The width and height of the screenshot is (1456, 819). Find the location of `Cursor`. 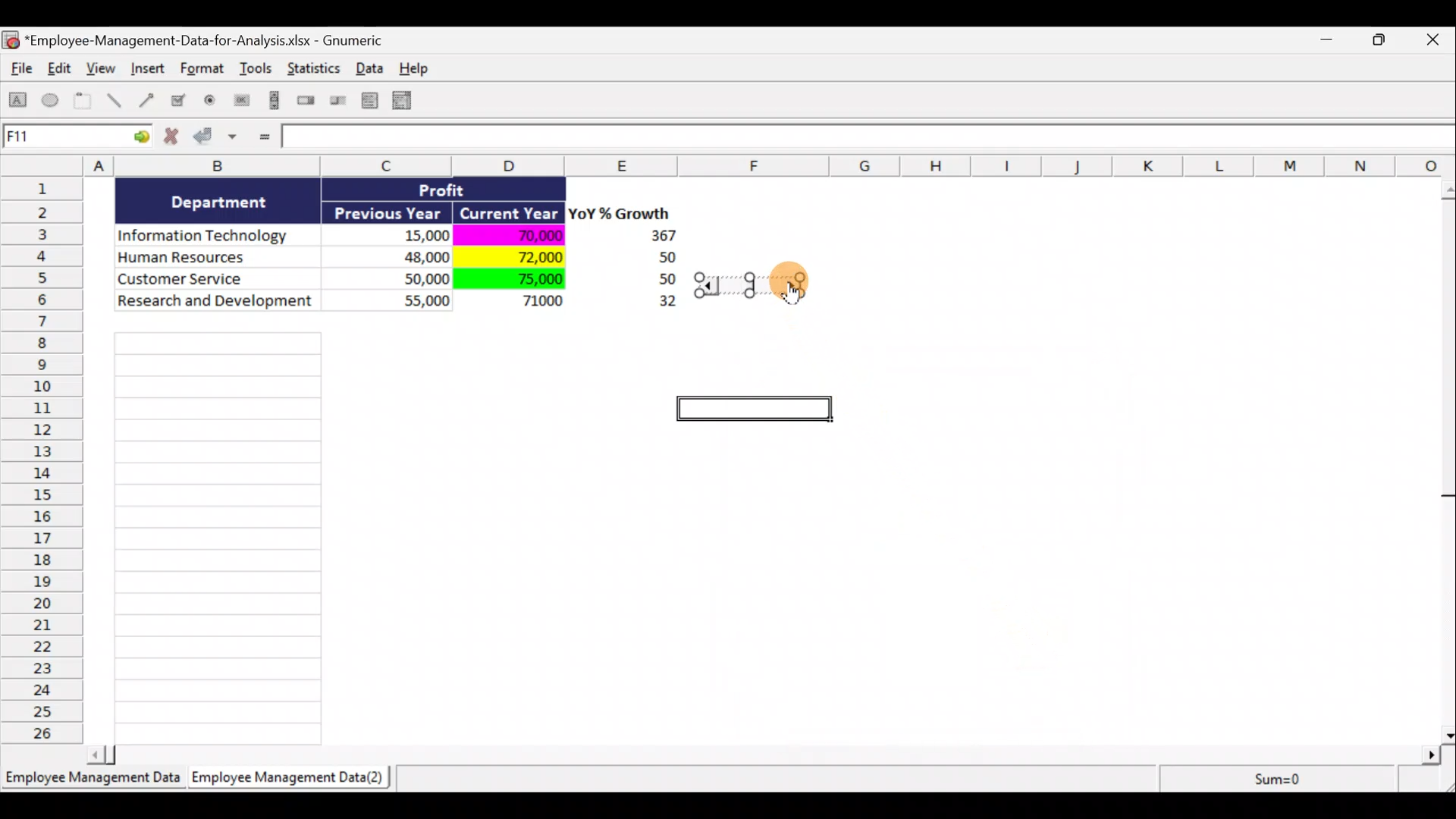

Cursor is located at coordinates (795, 283).